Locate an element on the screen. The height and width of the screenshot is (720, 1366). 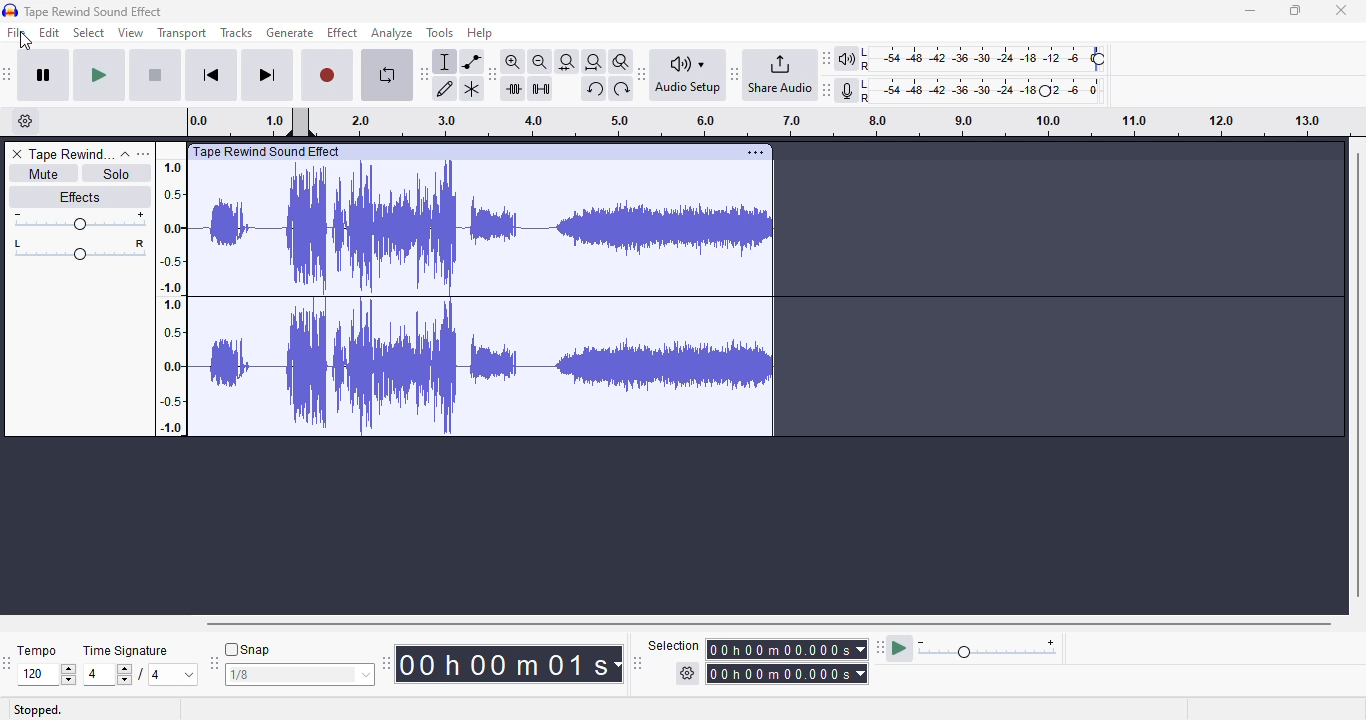
tempo is located at coordinates (46, 666).